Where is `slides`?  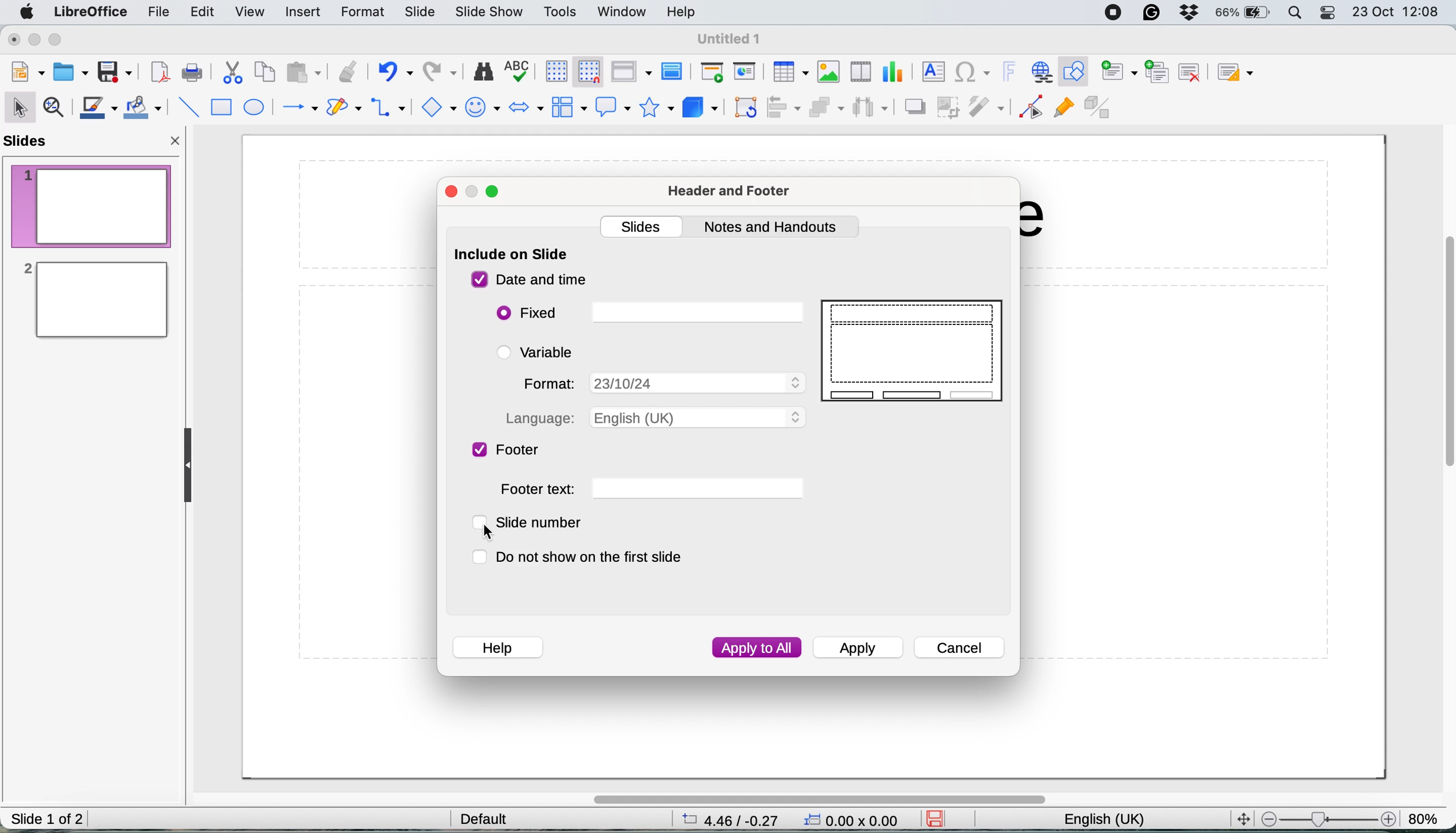
slides is located at coordinates (644, 225).